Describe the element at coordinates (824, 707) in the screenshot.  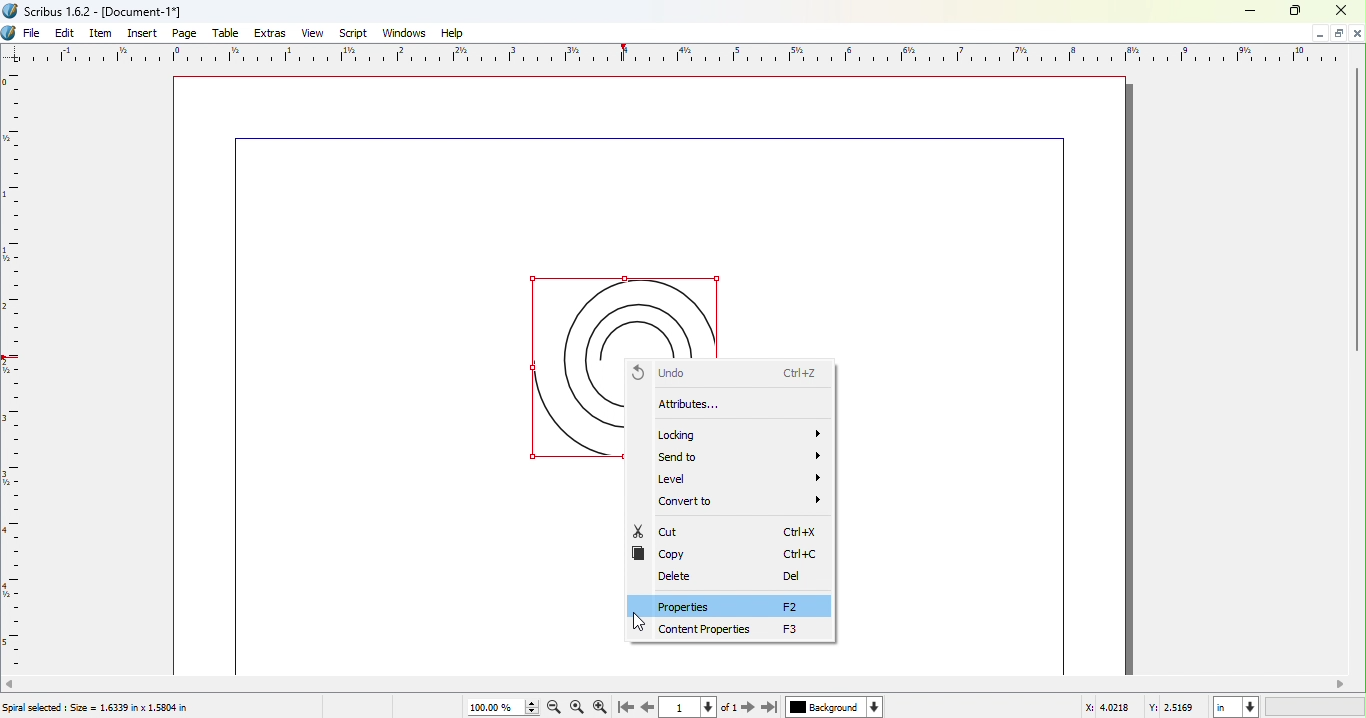
I see `Select the current layer` at that location.